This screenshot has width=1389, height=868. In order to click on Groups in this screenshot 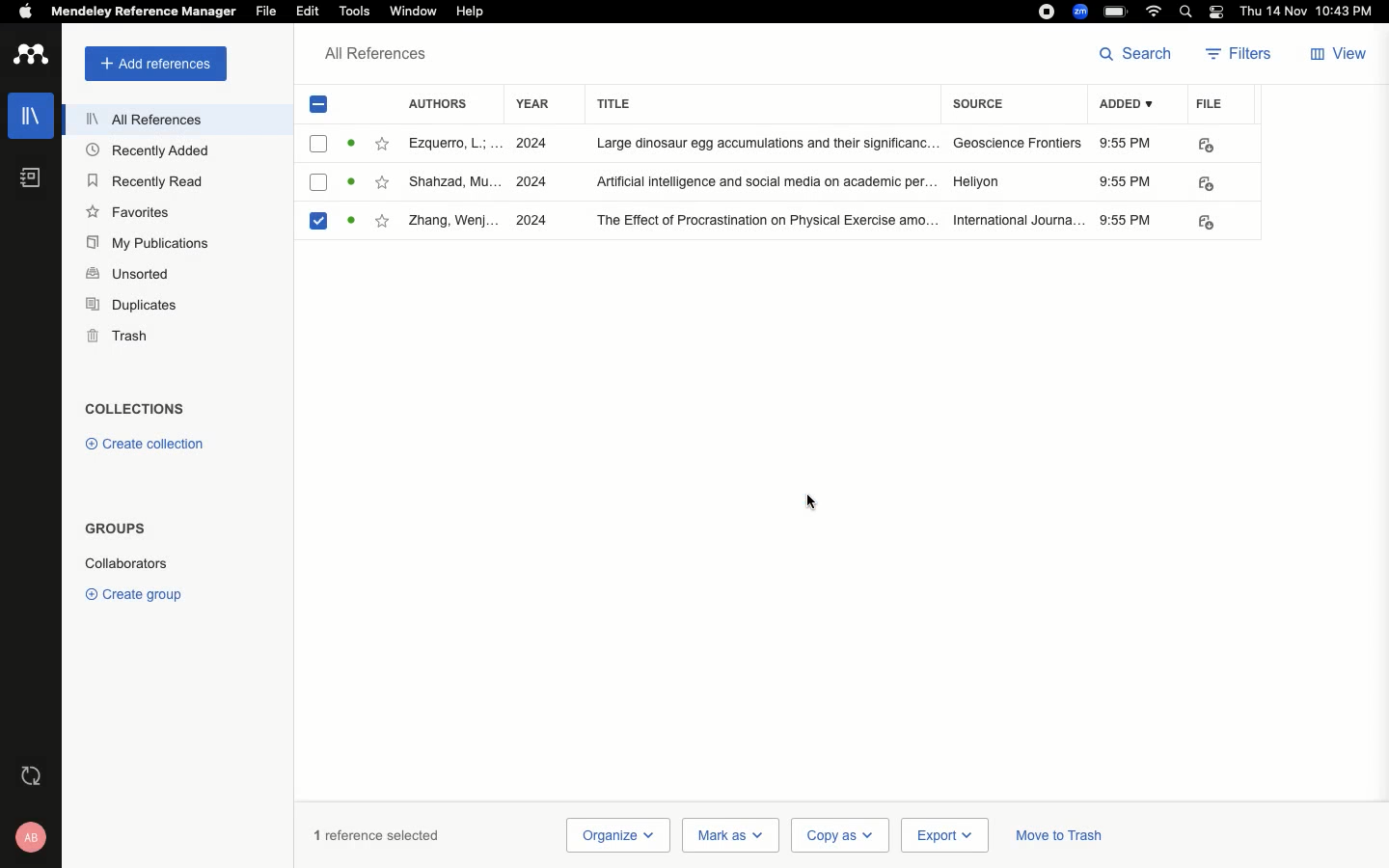, I will do `click(114, 529)`.